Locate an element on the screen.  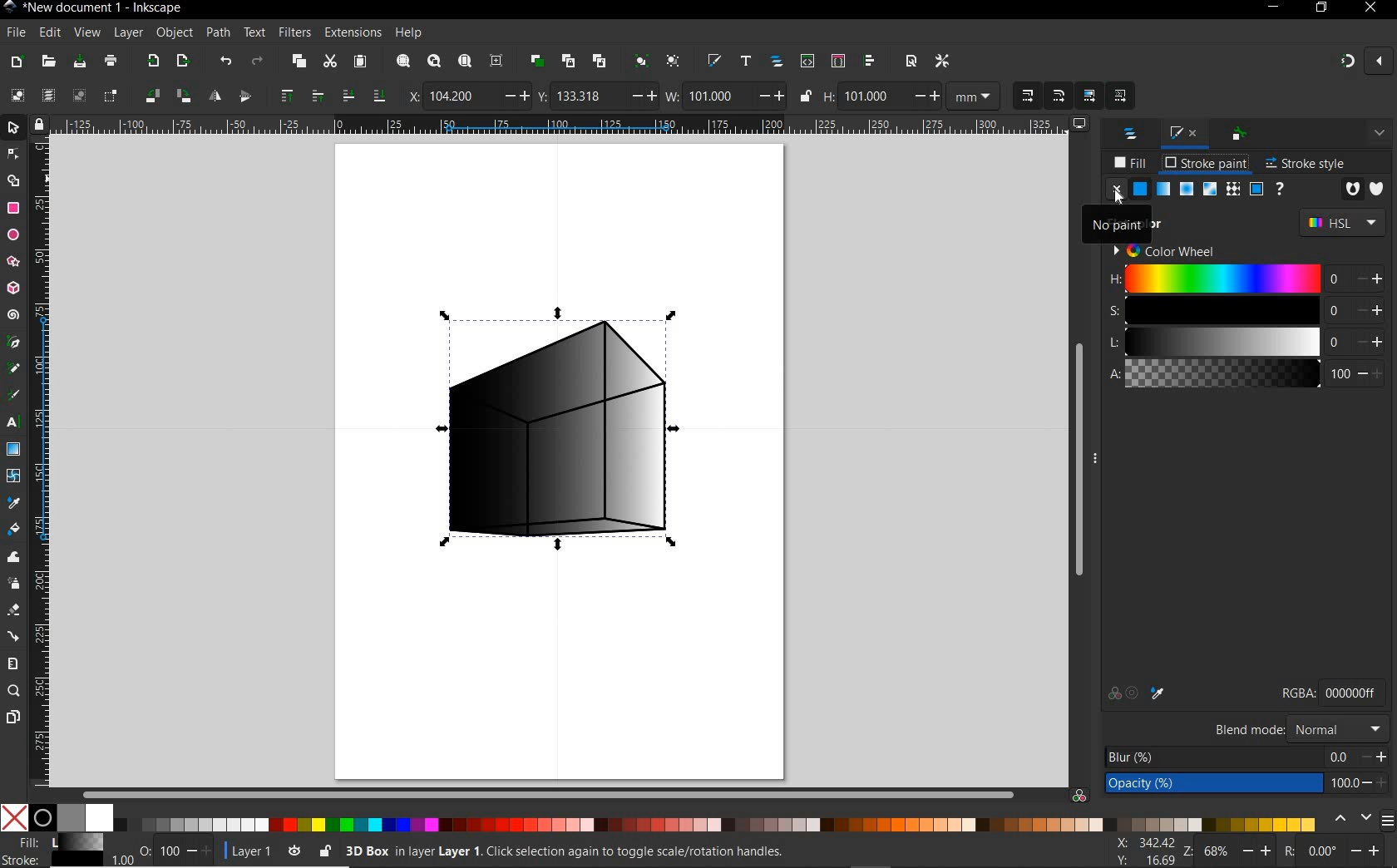
RAISE SELECTION is located at coordinates (284, 94).